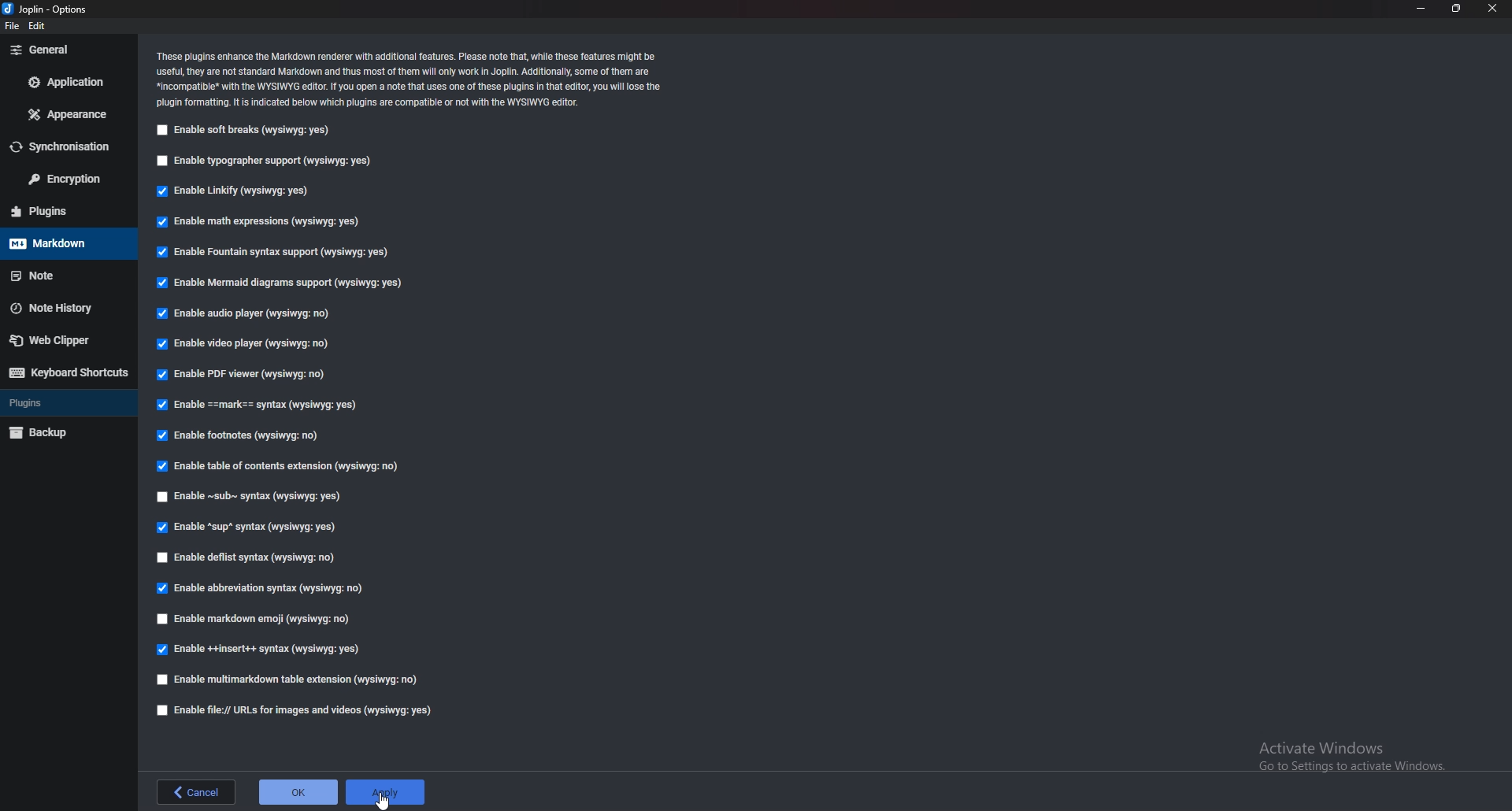  What do you see at coordinates (252, 494) in the screenshot?
I see `Enable sub syntax` at bounding box center [252, 494].